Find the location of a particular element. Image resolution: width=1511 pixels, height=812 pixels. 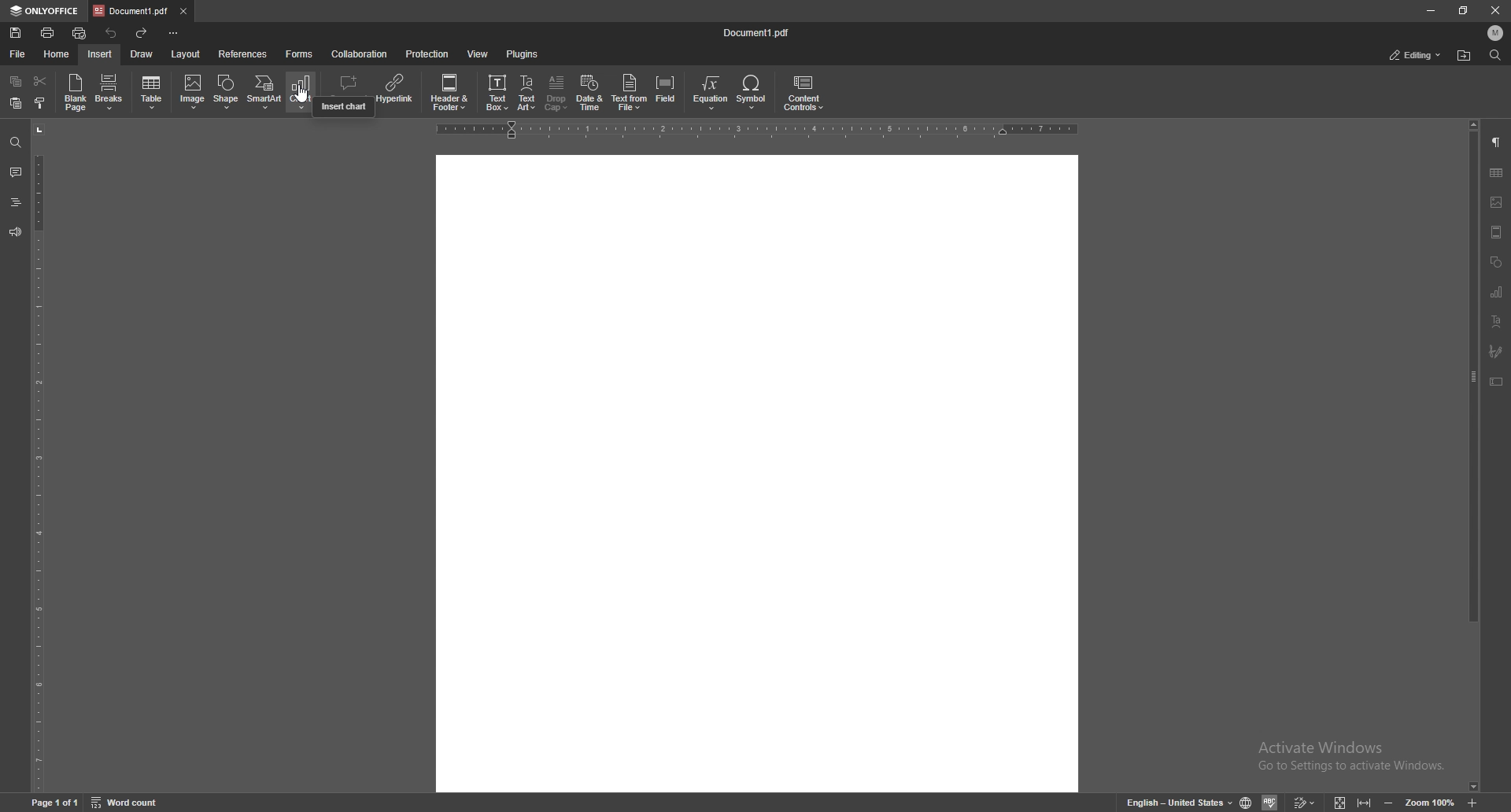

content controls is located at coordinates (806, 92).